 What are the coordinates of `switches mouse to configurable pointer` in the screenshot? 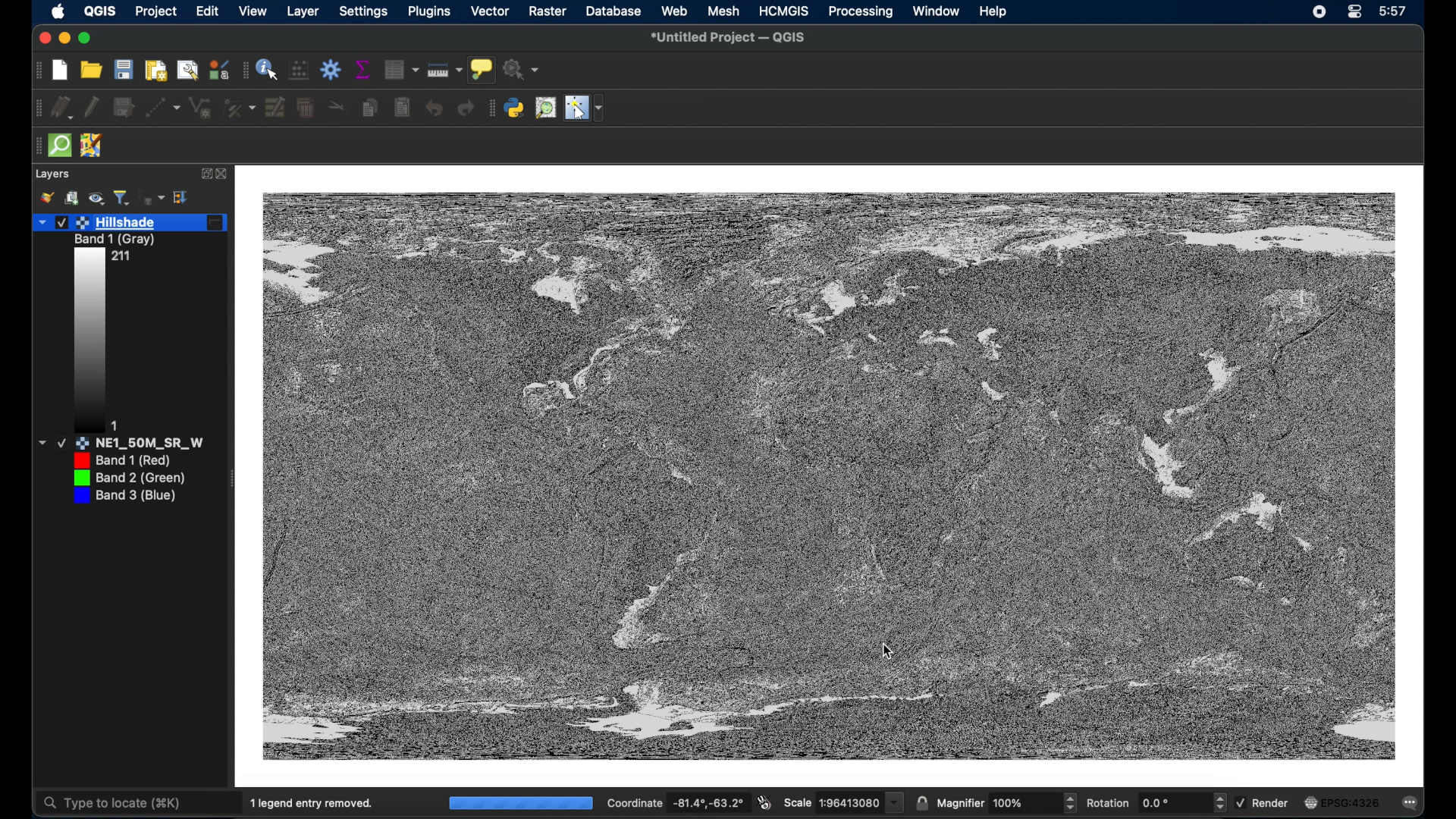 It's located at (585, 109).